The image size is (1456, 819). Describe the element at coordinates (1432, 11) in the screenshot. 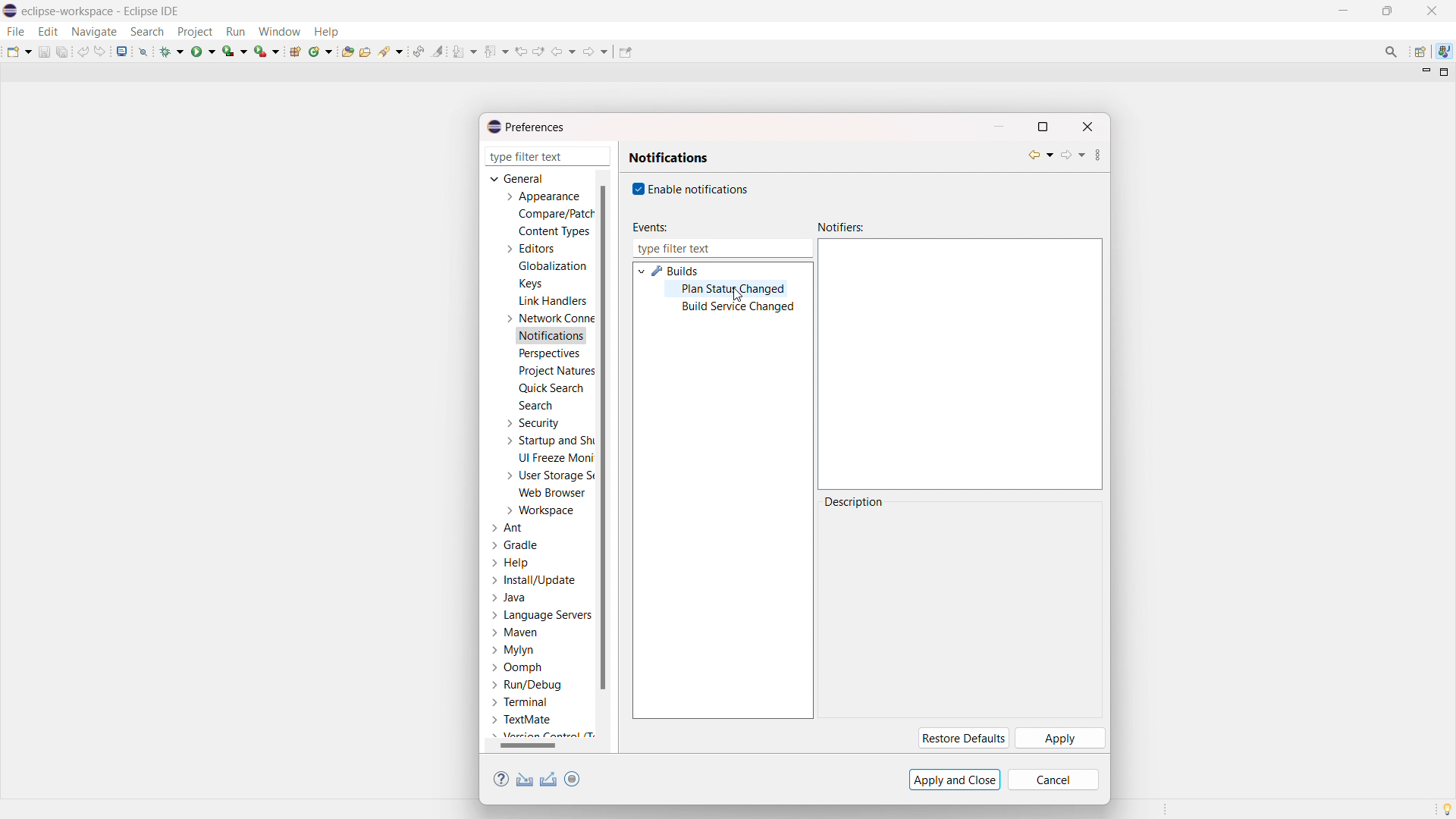

I see `close` at that location.